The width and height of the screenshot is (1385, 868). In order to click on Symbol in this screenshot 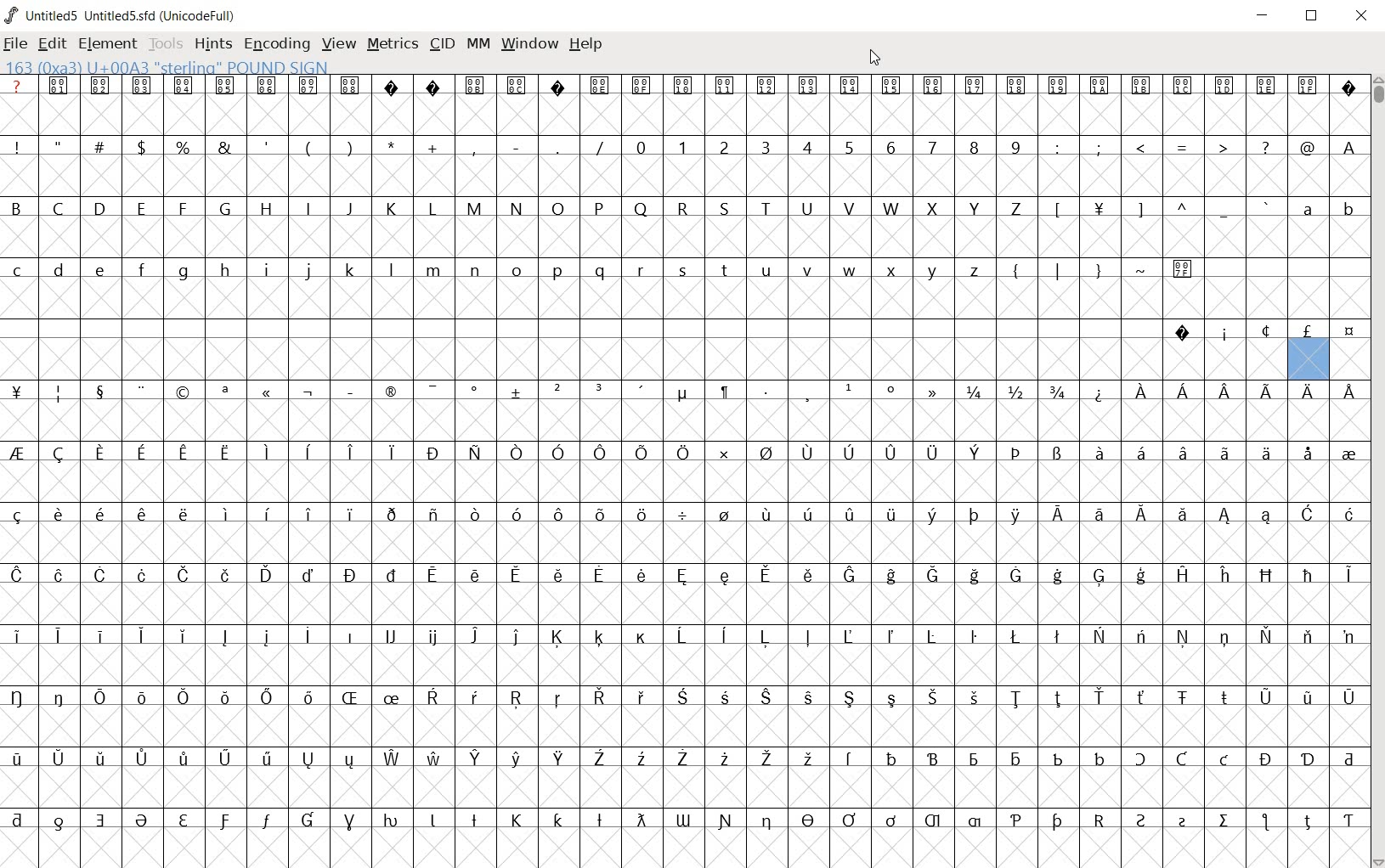, I will do `click(20, 392)`.